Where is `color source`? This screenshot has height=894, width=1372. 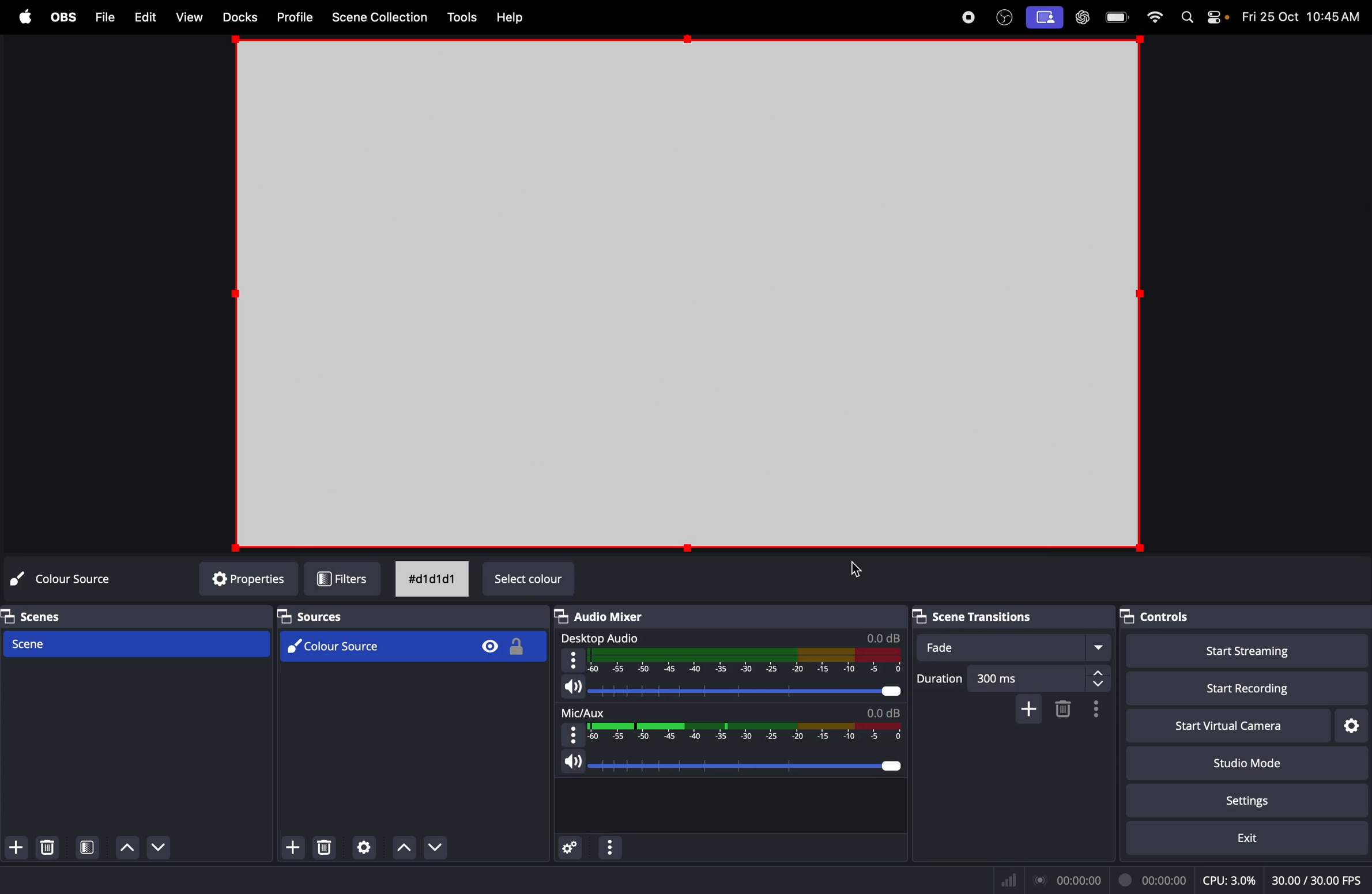
color source is located at coordinates (413, 646).